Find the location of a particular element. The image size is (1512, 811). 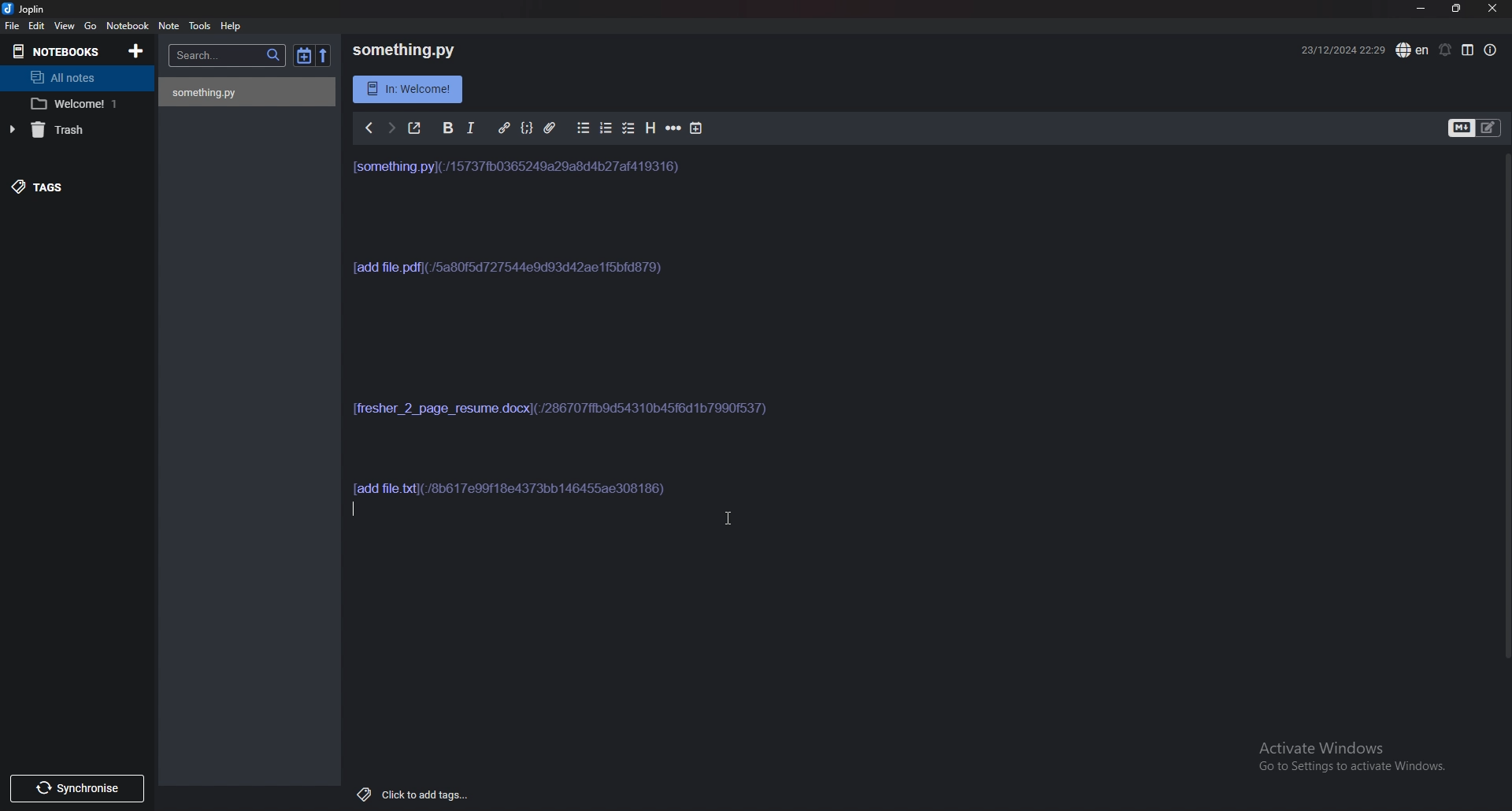

23/12/2024 22:29 is located at coordinates (1341, 53).